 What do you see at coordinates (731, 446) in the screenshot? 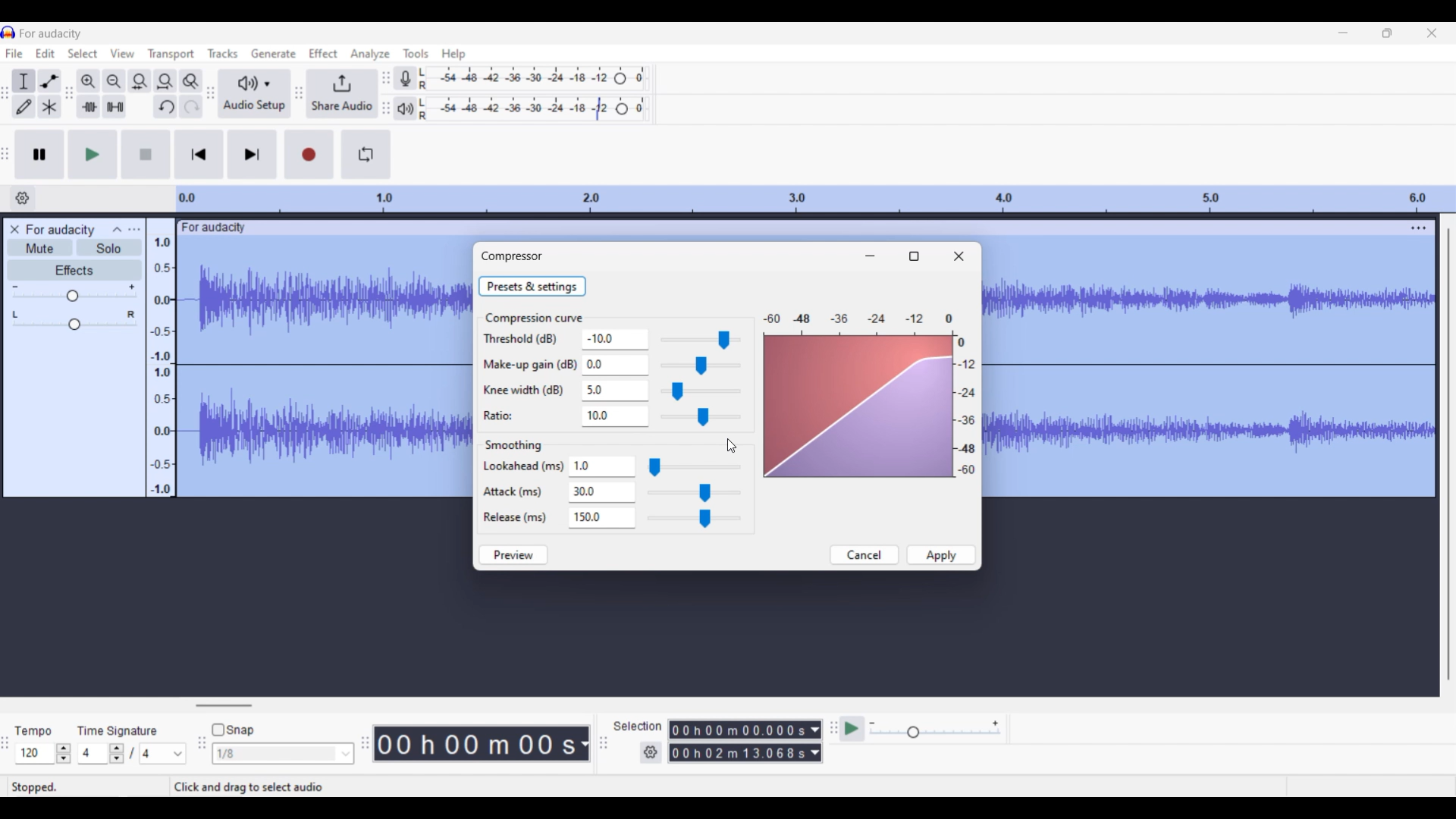
I see `Cursor position unchanged` at bounding box center [731, 446].